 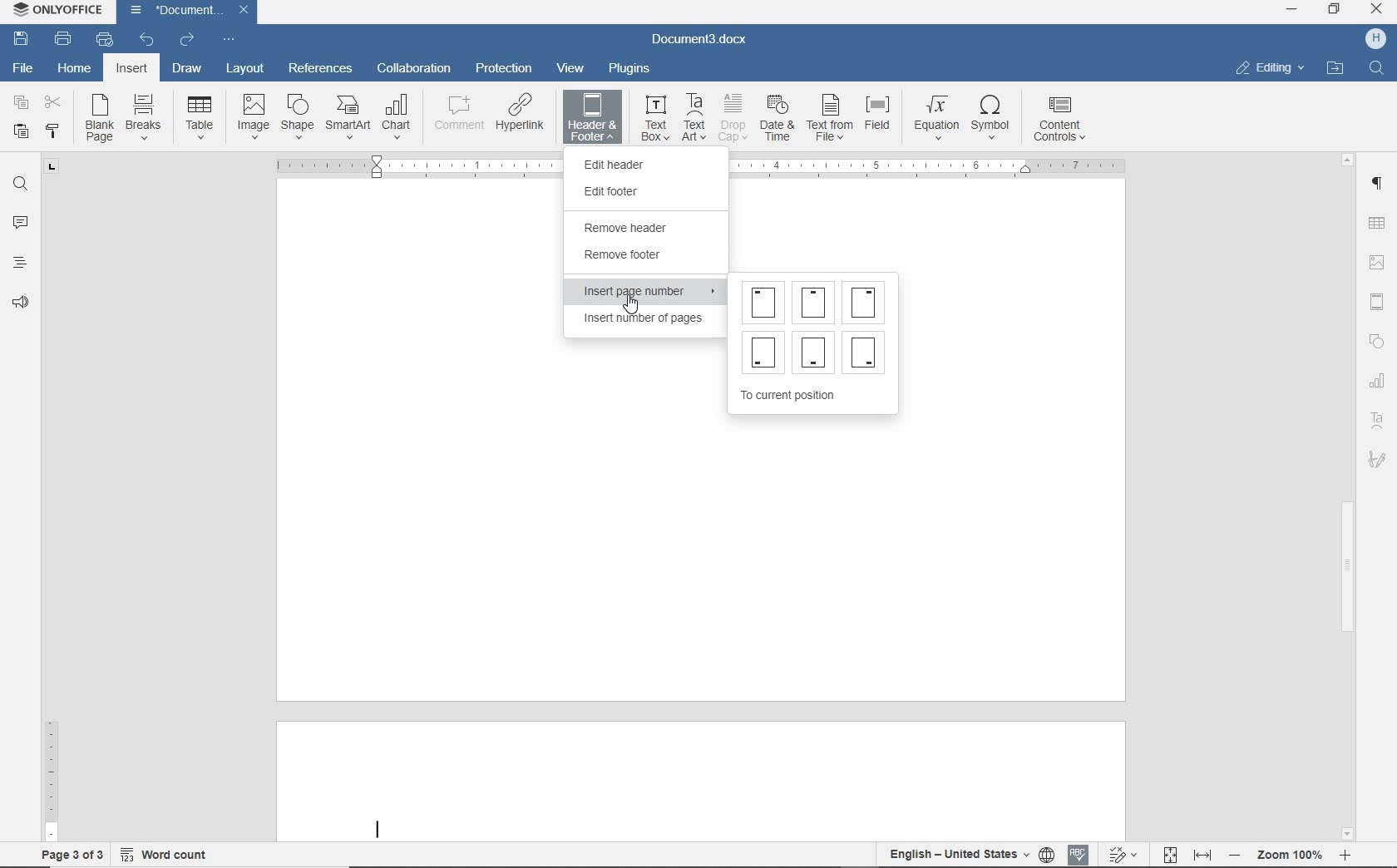 I want to click on INSERT NUMBER OF PAGES, so click(x=640, y=321).